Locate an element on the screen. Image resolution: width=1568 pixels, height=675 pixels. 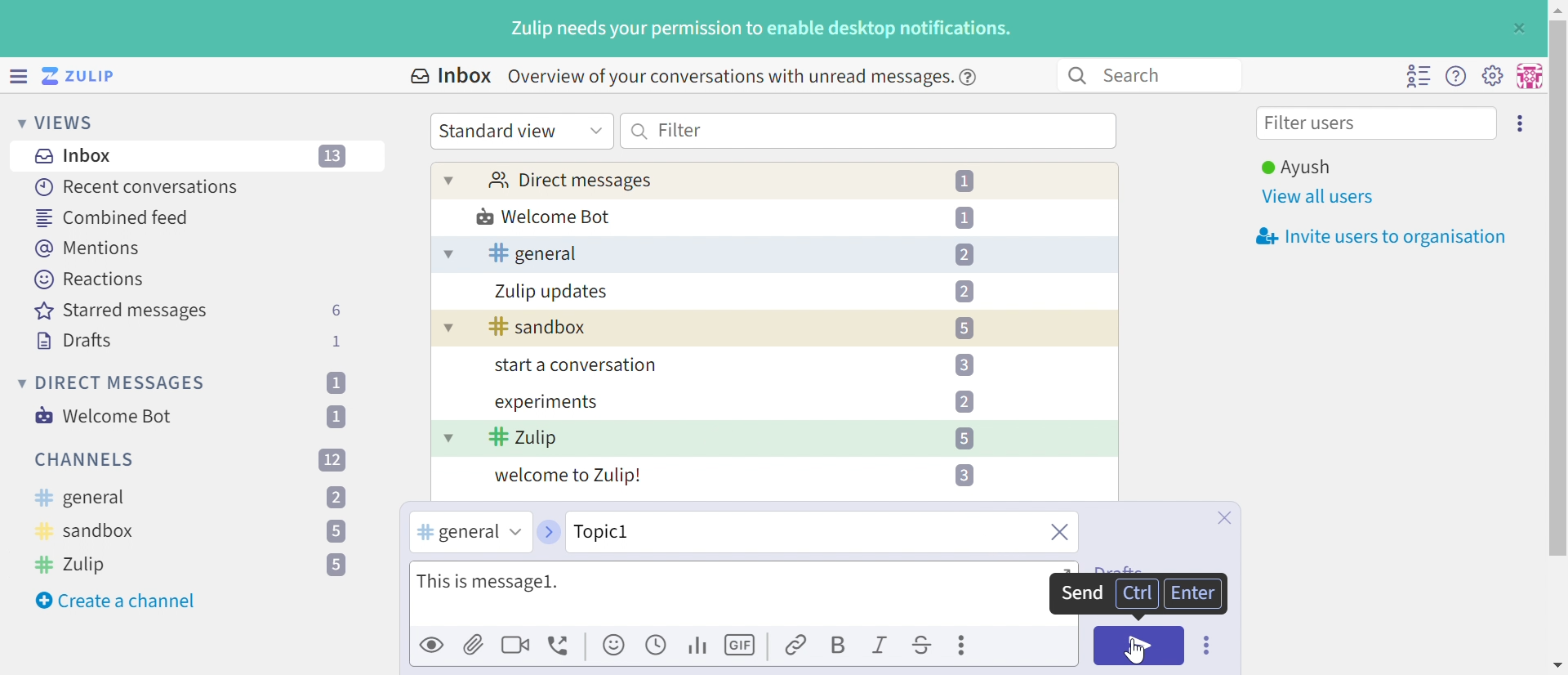
Mentions is located at coordinates (91, 248).